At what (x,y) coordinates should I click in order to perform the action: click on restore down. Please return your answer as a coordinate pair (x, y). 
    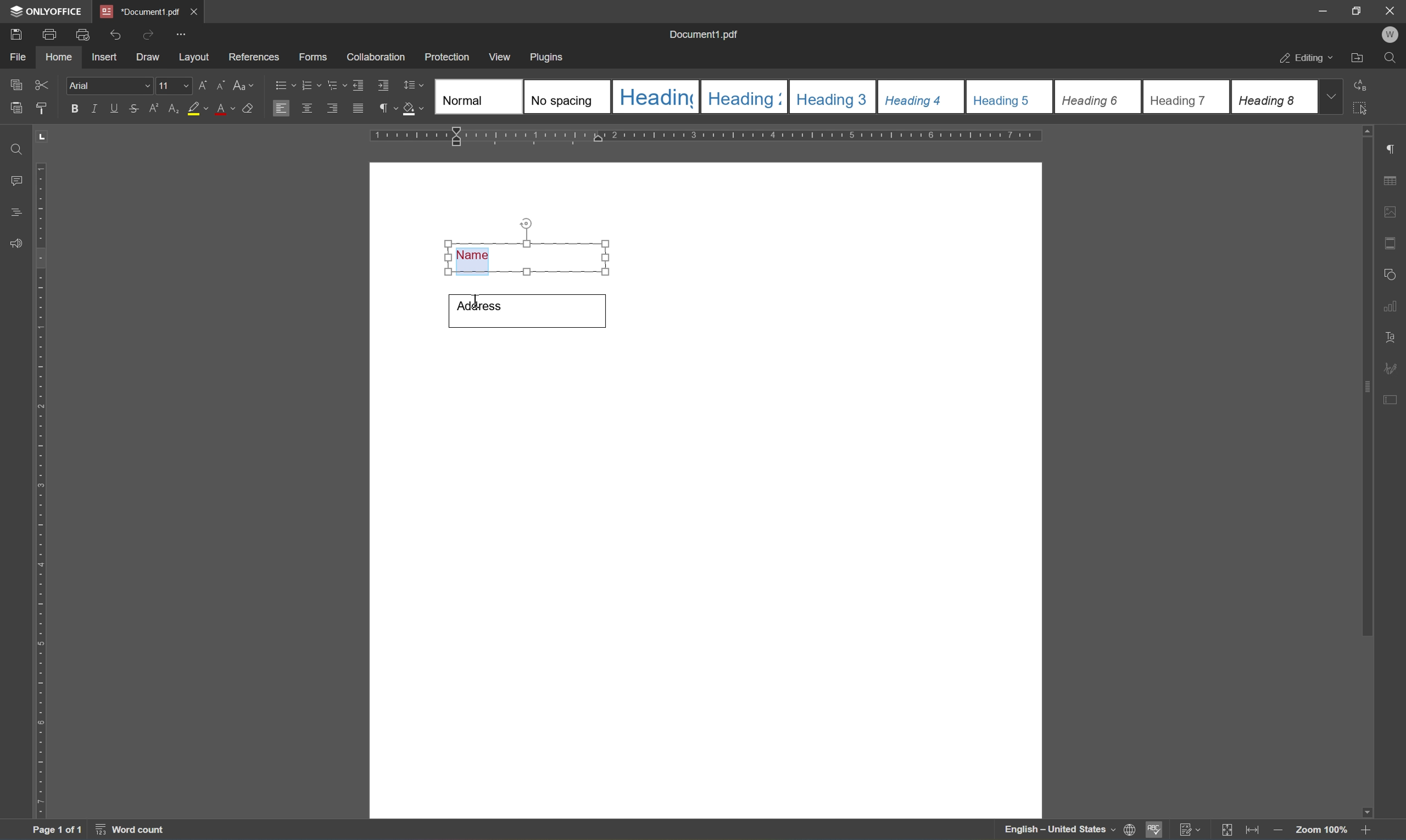
    Looking at the image, I should click on (1356, 11).